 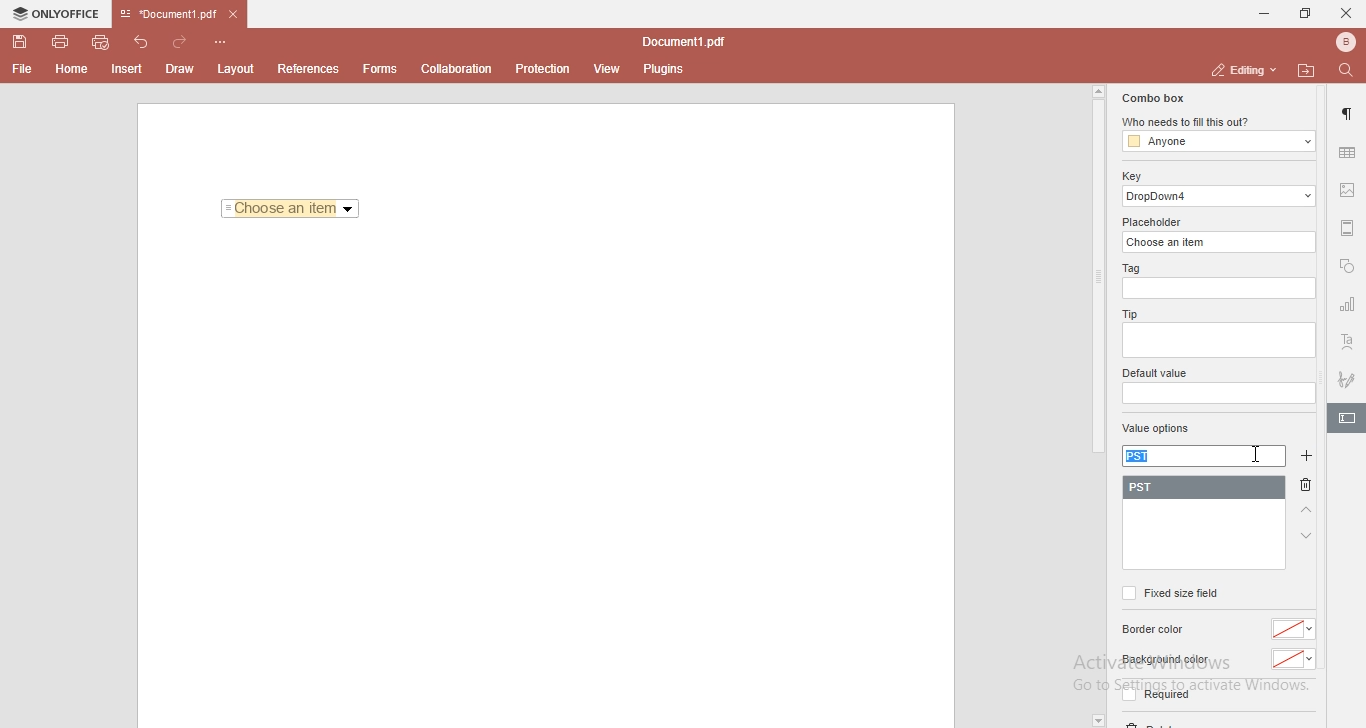 I want to click on protection, so click(x=543, y=68).